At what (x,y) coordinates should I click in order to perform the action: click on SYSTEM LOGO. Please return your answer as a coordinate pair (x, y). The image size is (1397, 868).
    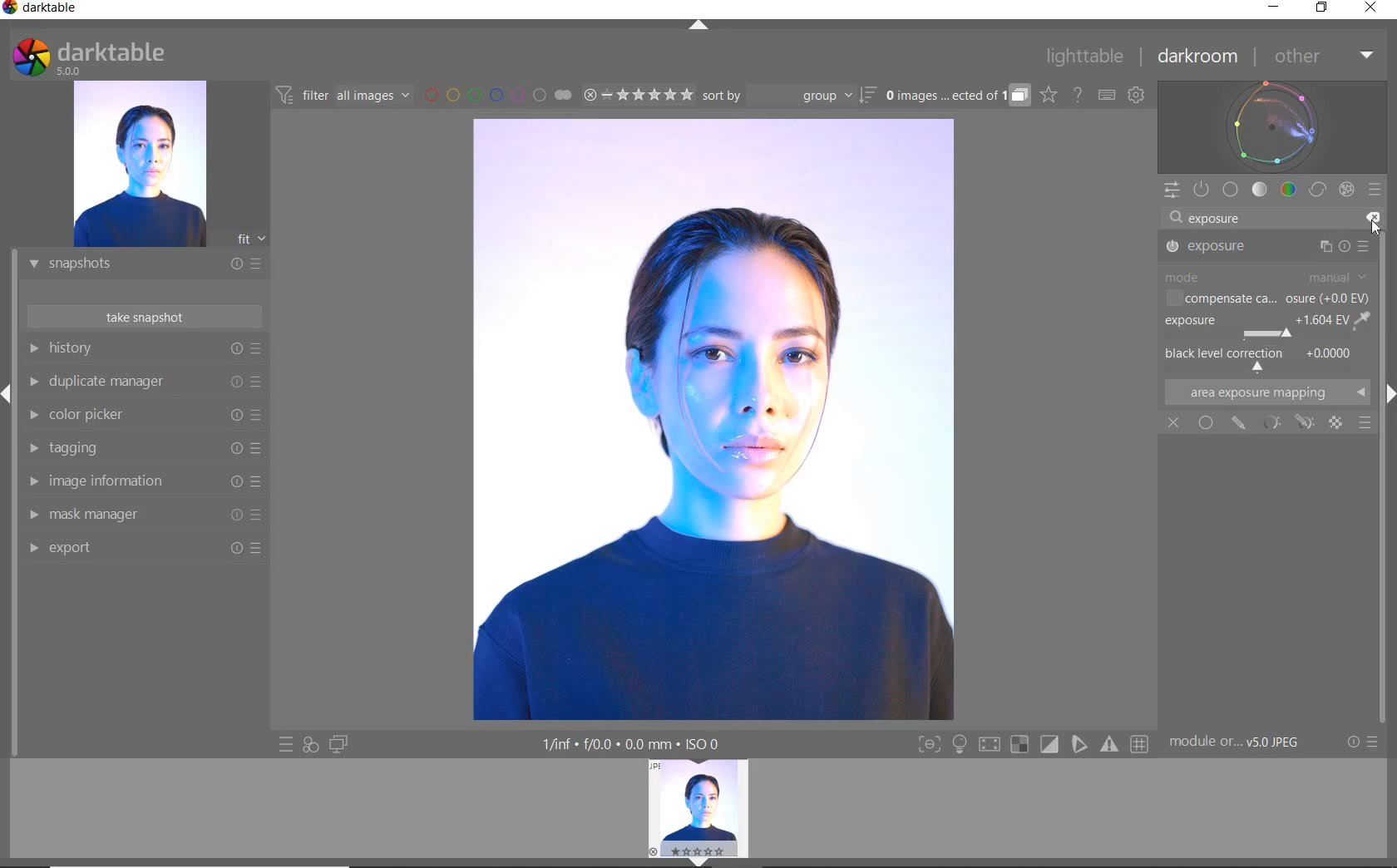
    Looking at the image, I should click on (88, 57).